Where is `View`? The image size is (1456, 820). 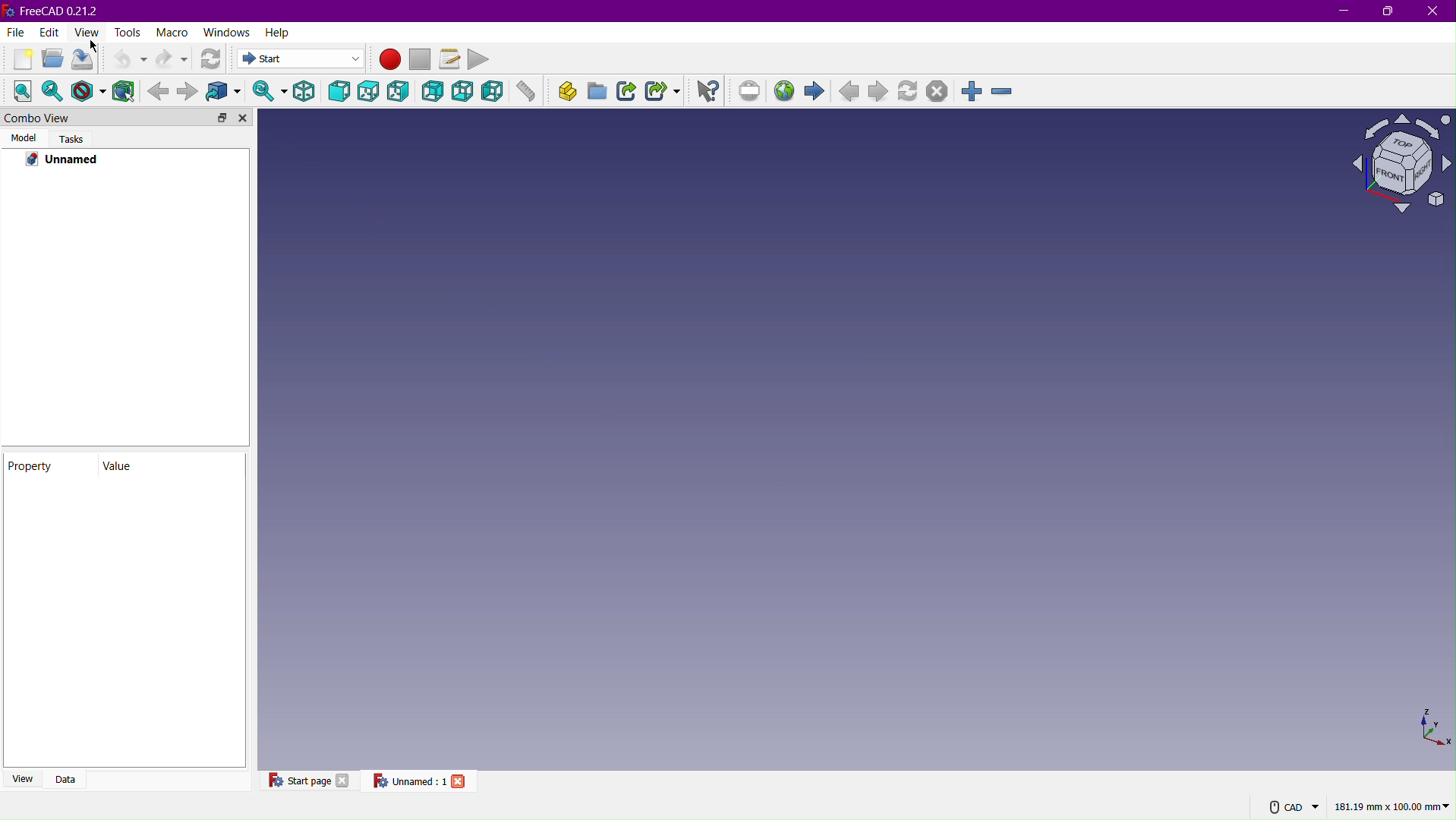
View is located at coordinates (24, 774).